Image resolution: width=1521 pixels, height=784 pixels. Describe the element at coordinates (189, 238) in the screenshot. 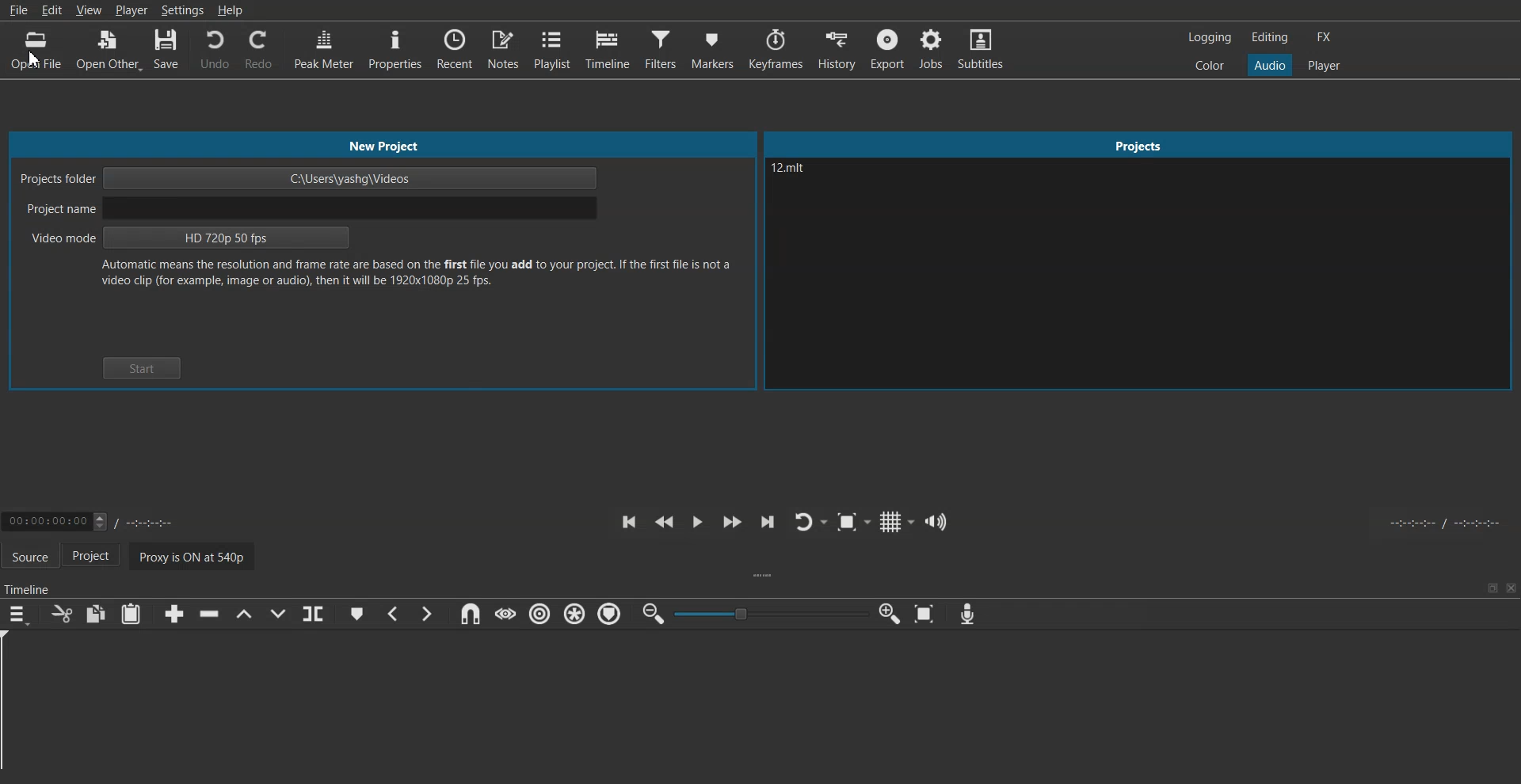

I see `Video mode selector` at that location.